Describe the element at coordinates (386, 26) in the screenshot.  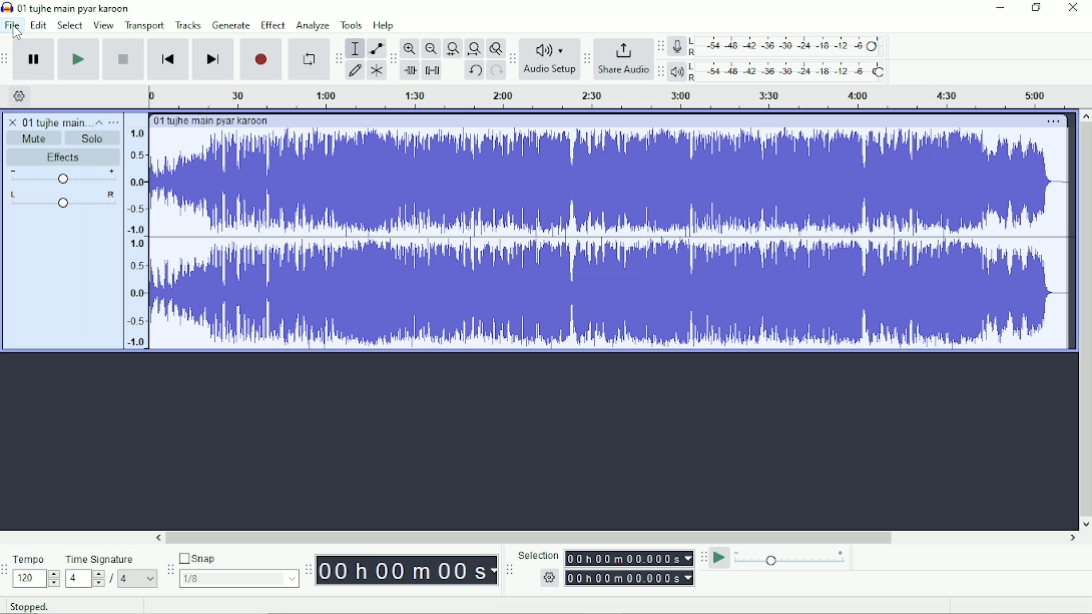
I see `Help` at that location.